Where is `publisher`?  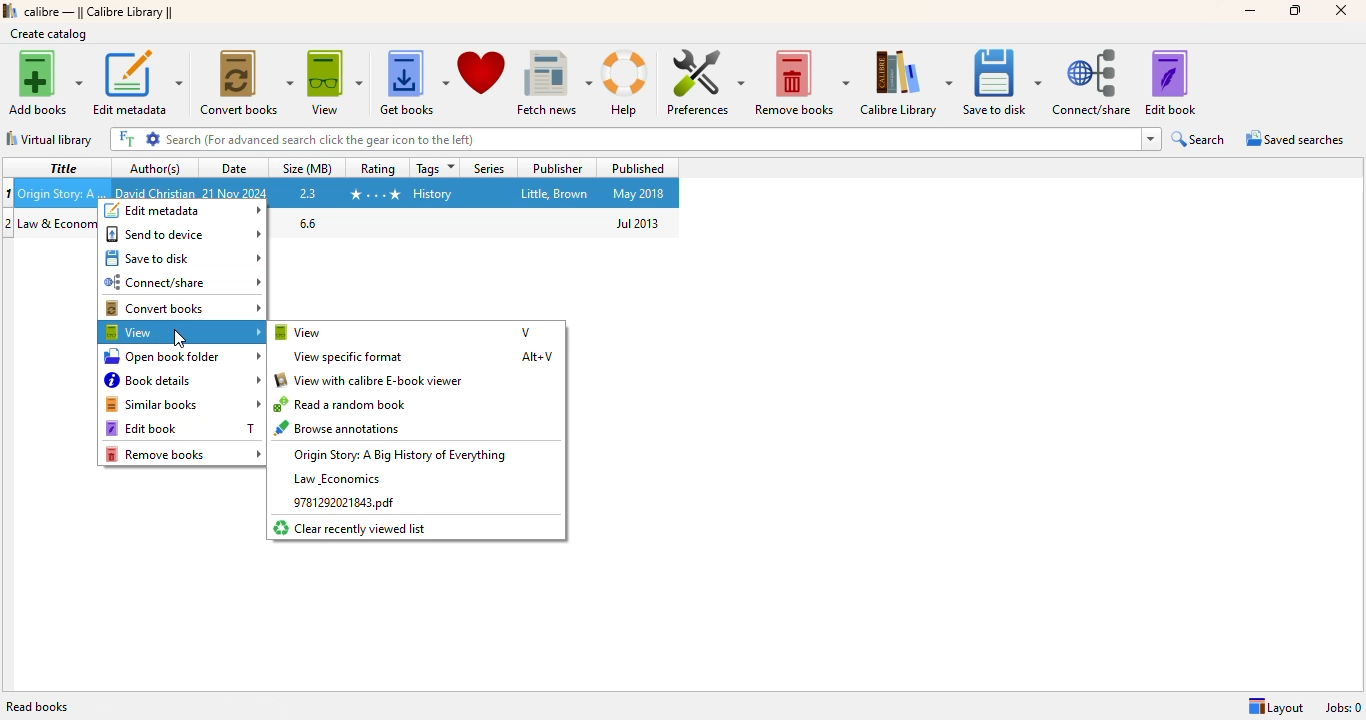 publisher is located at coordinates (556, 193).